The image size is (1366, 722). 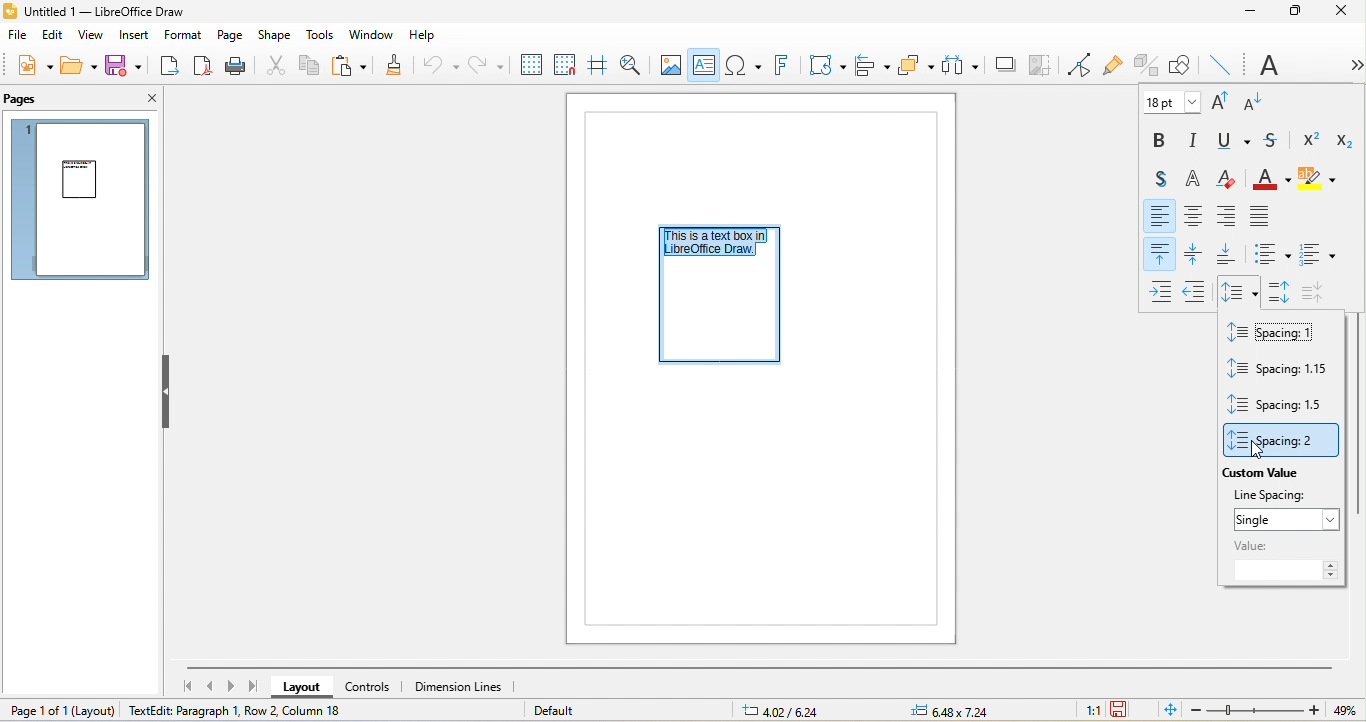 What do you see at coordinates (1156, 176) in the screenshot?
I see `toggle shadow` at bounding box center [1156, 176].